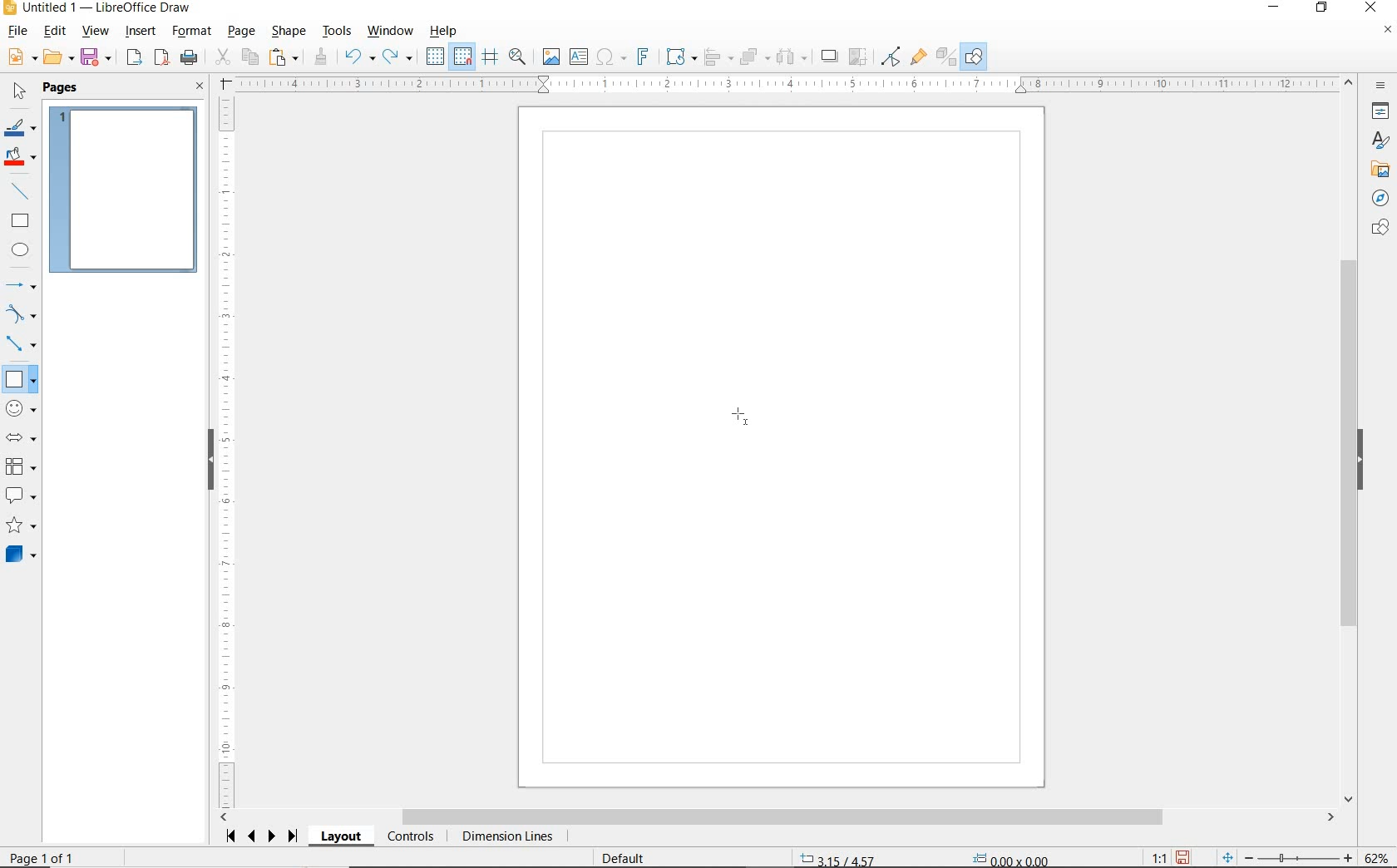 The width and height of the screenshot is (1397, 868). I want to click on CLONE FORMATTING, so click(320, 57).